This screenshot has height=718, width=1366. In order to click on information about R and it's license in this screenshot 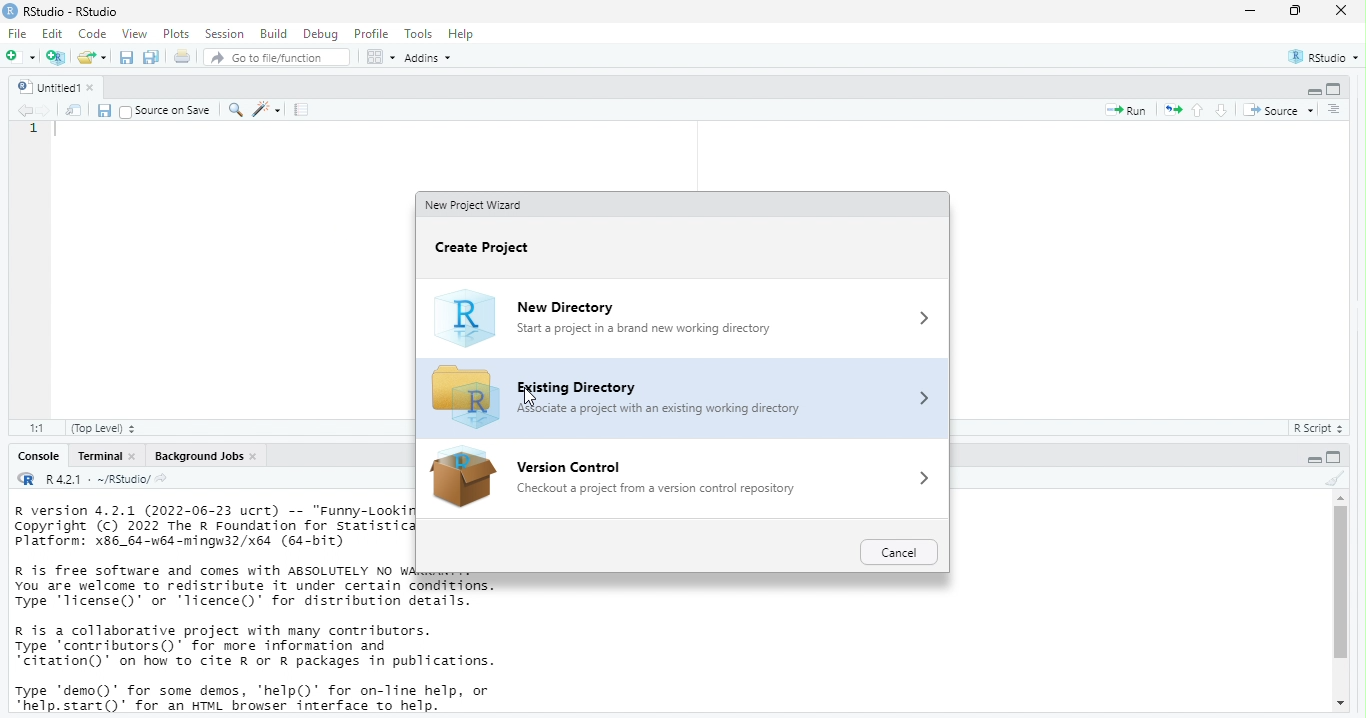, I will do `click(264, 587)`.